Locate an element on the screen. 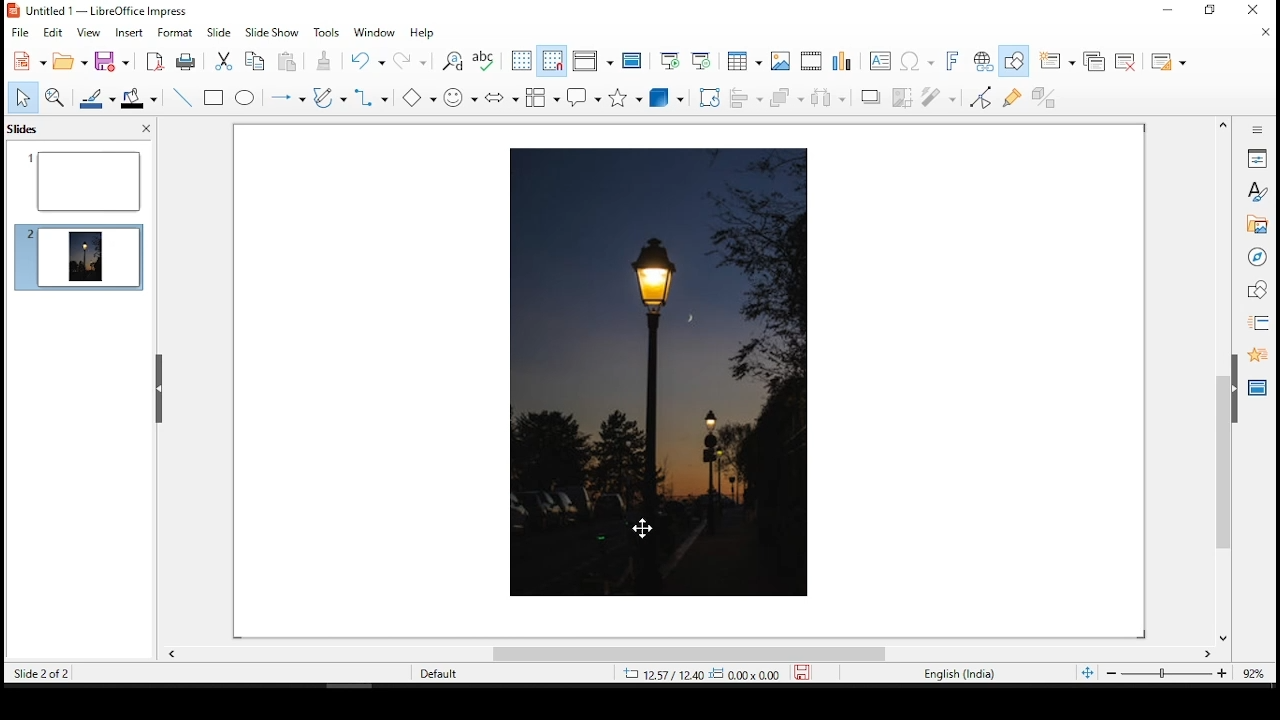 This screenshot has width=1280, height=720. select tool is located at coordinates (24, 97).